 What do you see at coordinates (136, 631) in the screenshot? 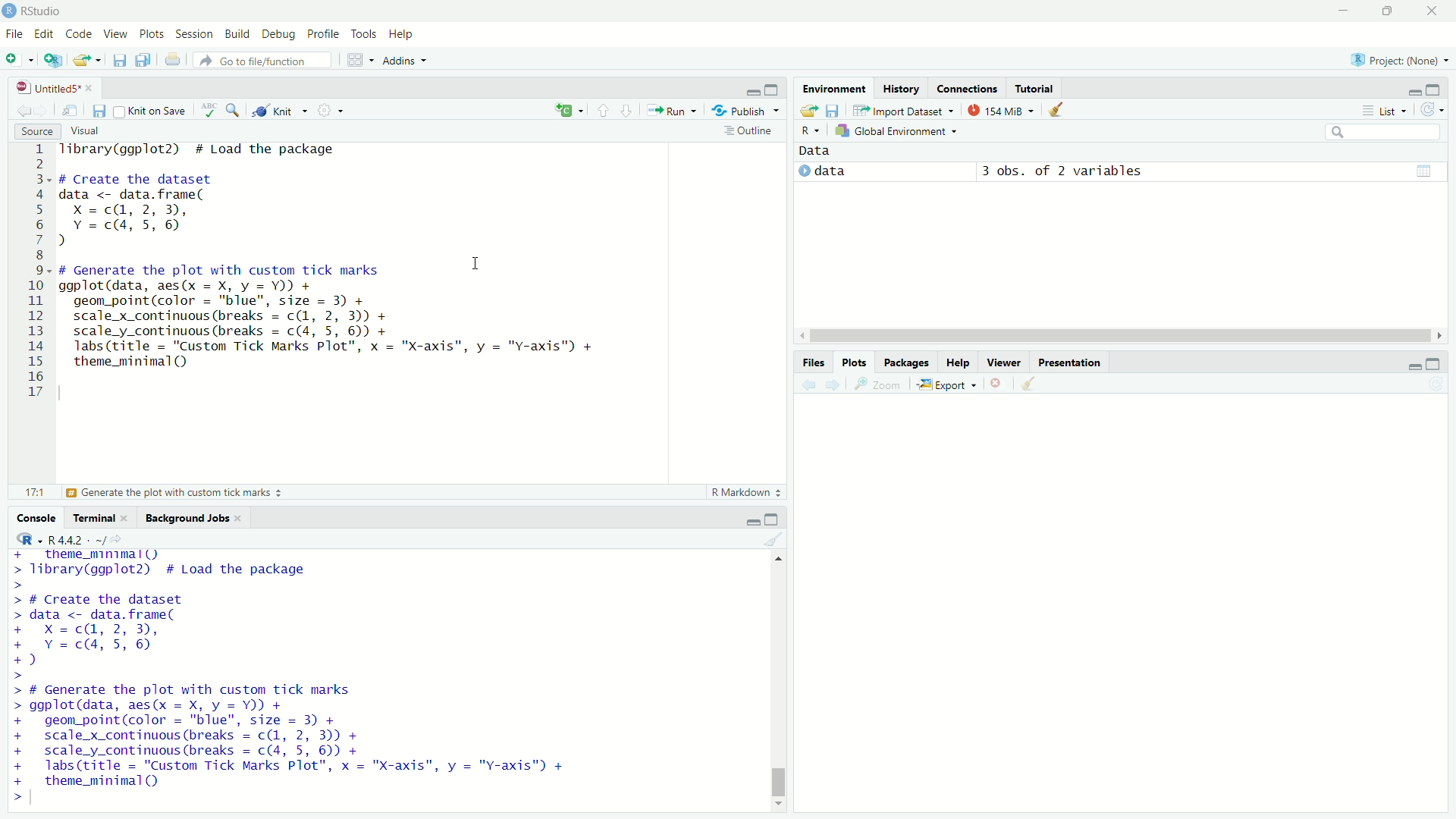
I see `code to create the dataset` at bounding box center [136, 631].